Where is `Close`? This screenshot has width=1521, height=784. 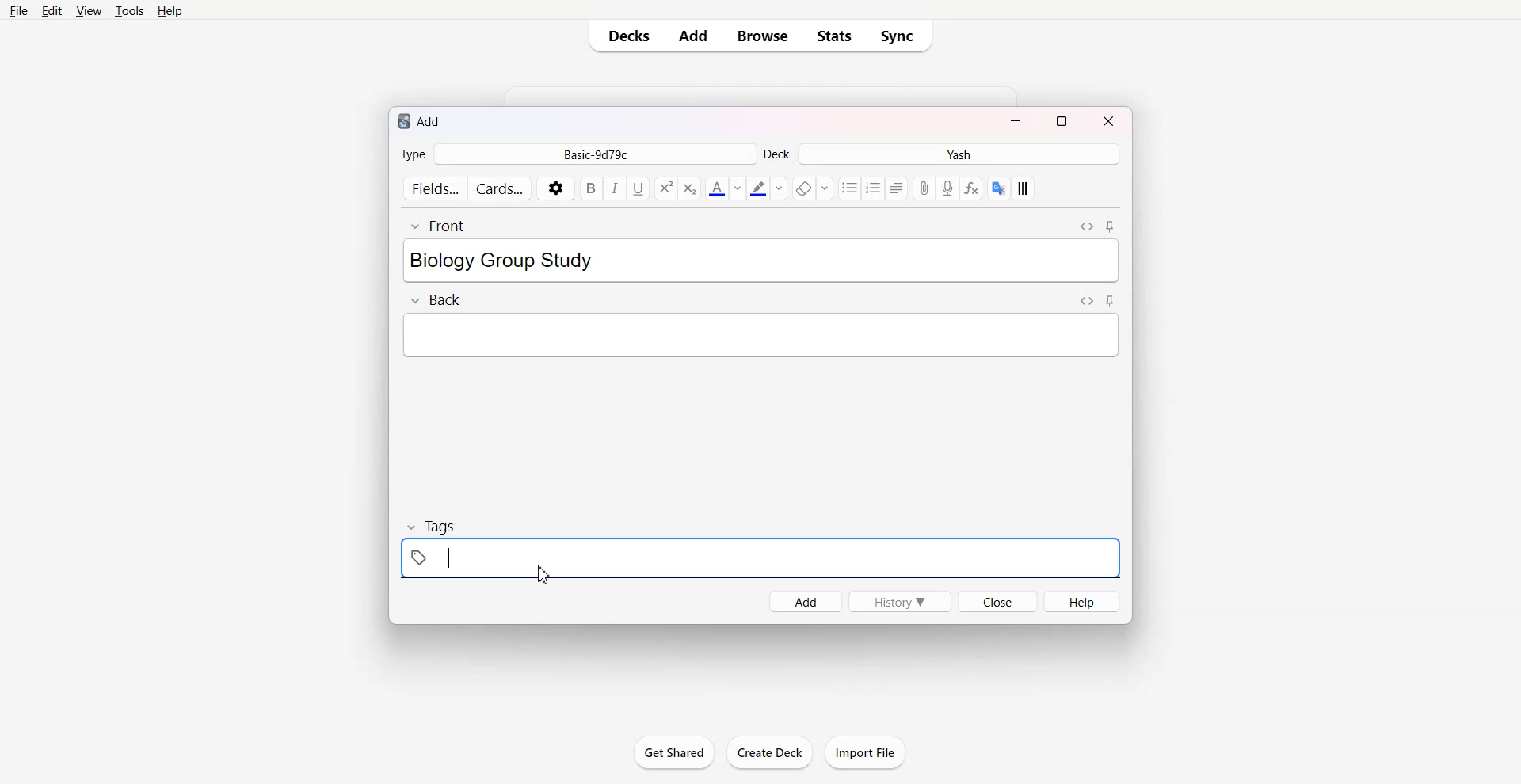 Close is located at coordinates (1106, 120).